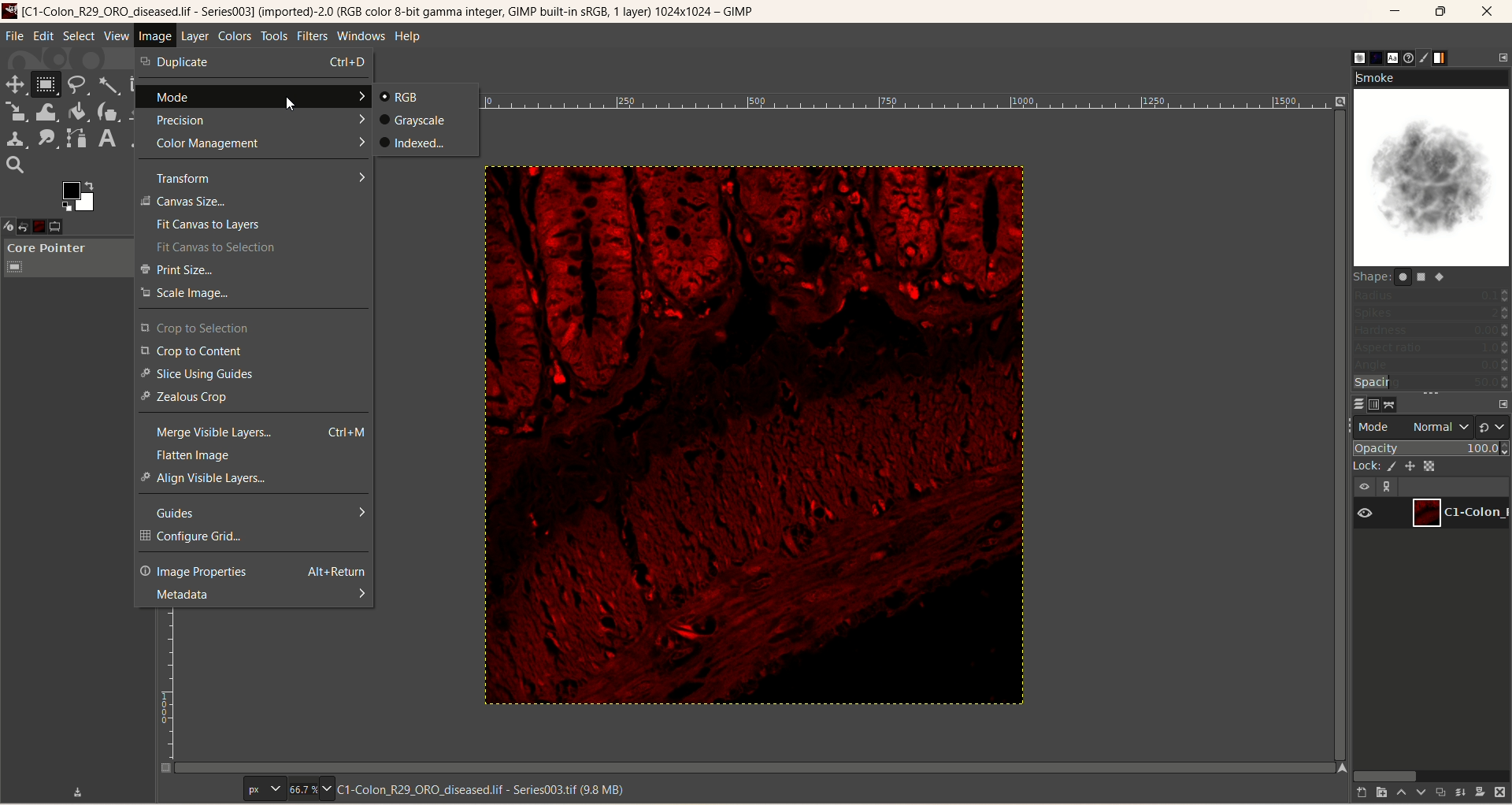 The width and height of the screenshot is (1512, 805). What do you see at coordinates (1382, 793) in the screenshot?
I see `create a new layer and add it to image` at bounding box center [1382, 793].